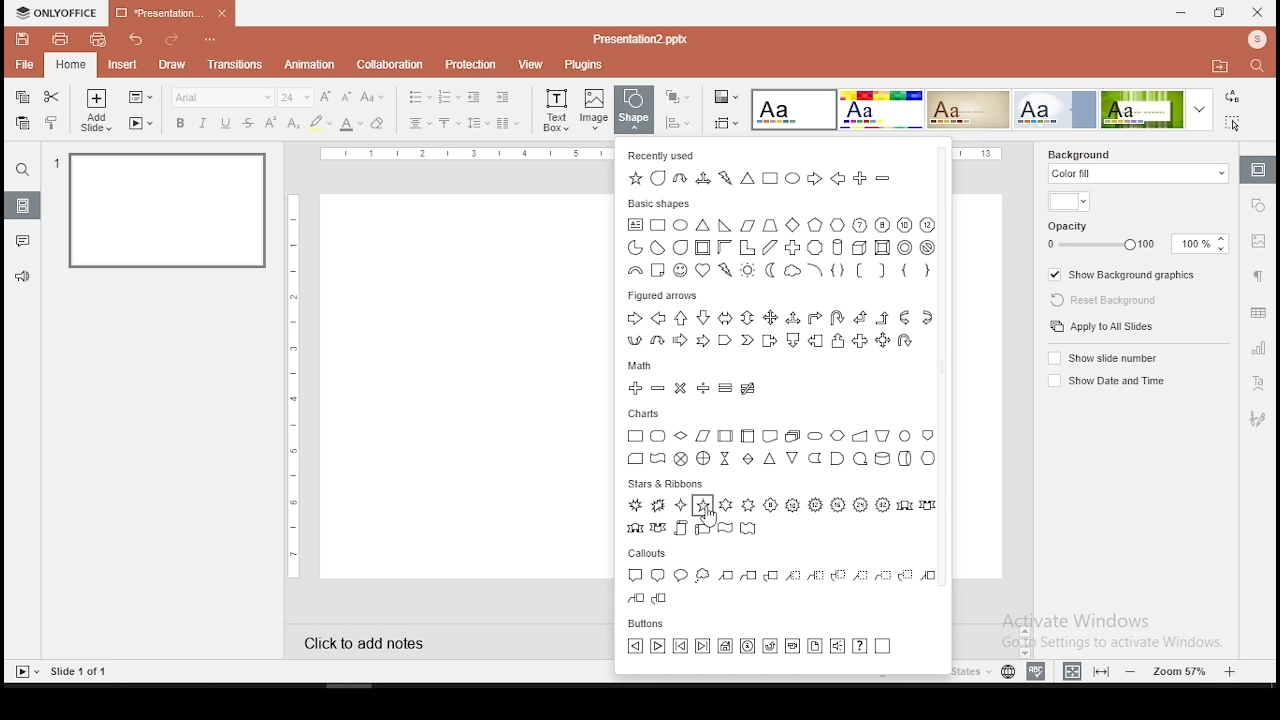 This screenshot has height=720, width=1280. I want to click on add slide, so click(96, 110).